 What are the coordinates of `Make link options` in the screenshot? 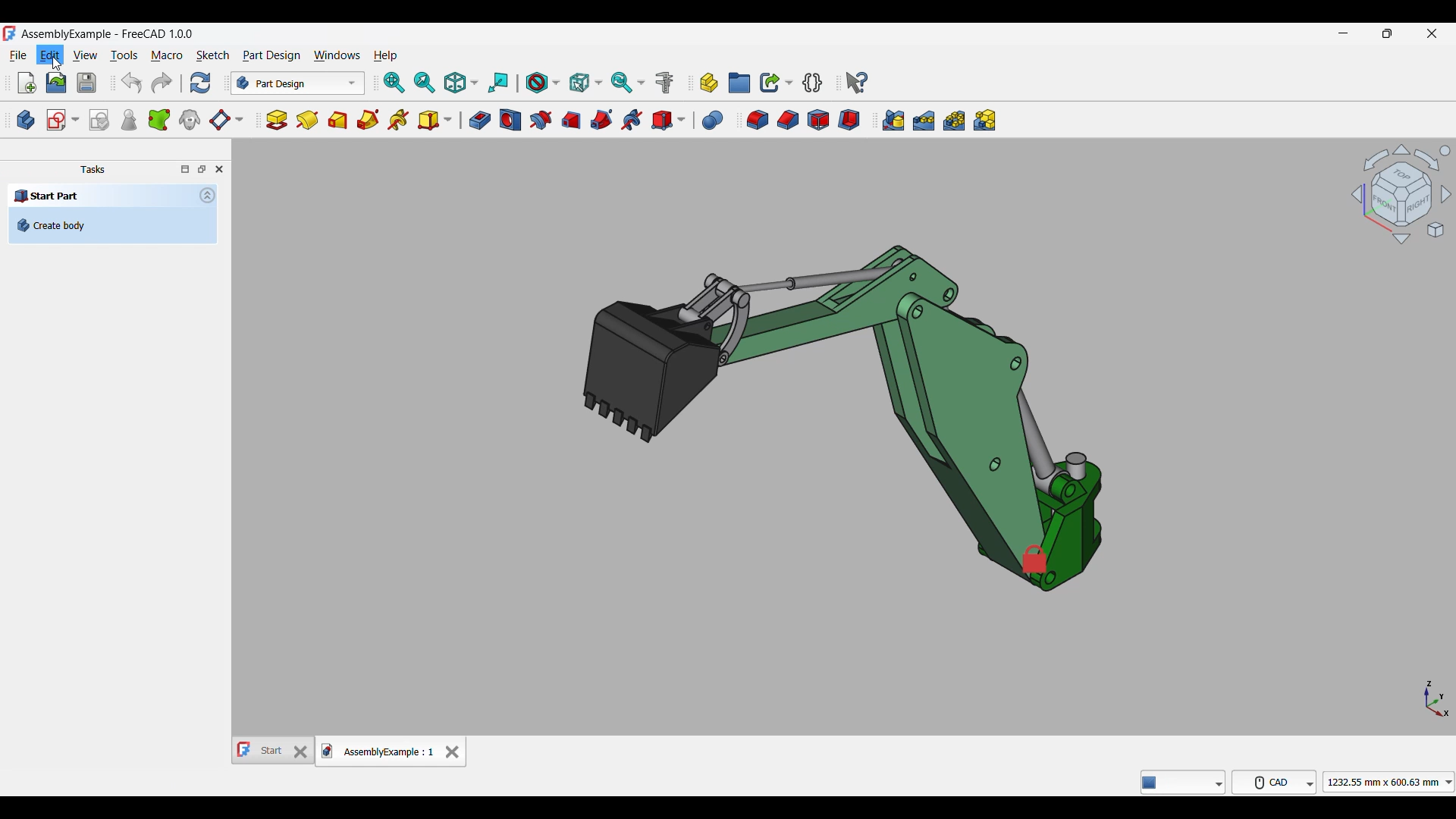 It's located at (776, 83).